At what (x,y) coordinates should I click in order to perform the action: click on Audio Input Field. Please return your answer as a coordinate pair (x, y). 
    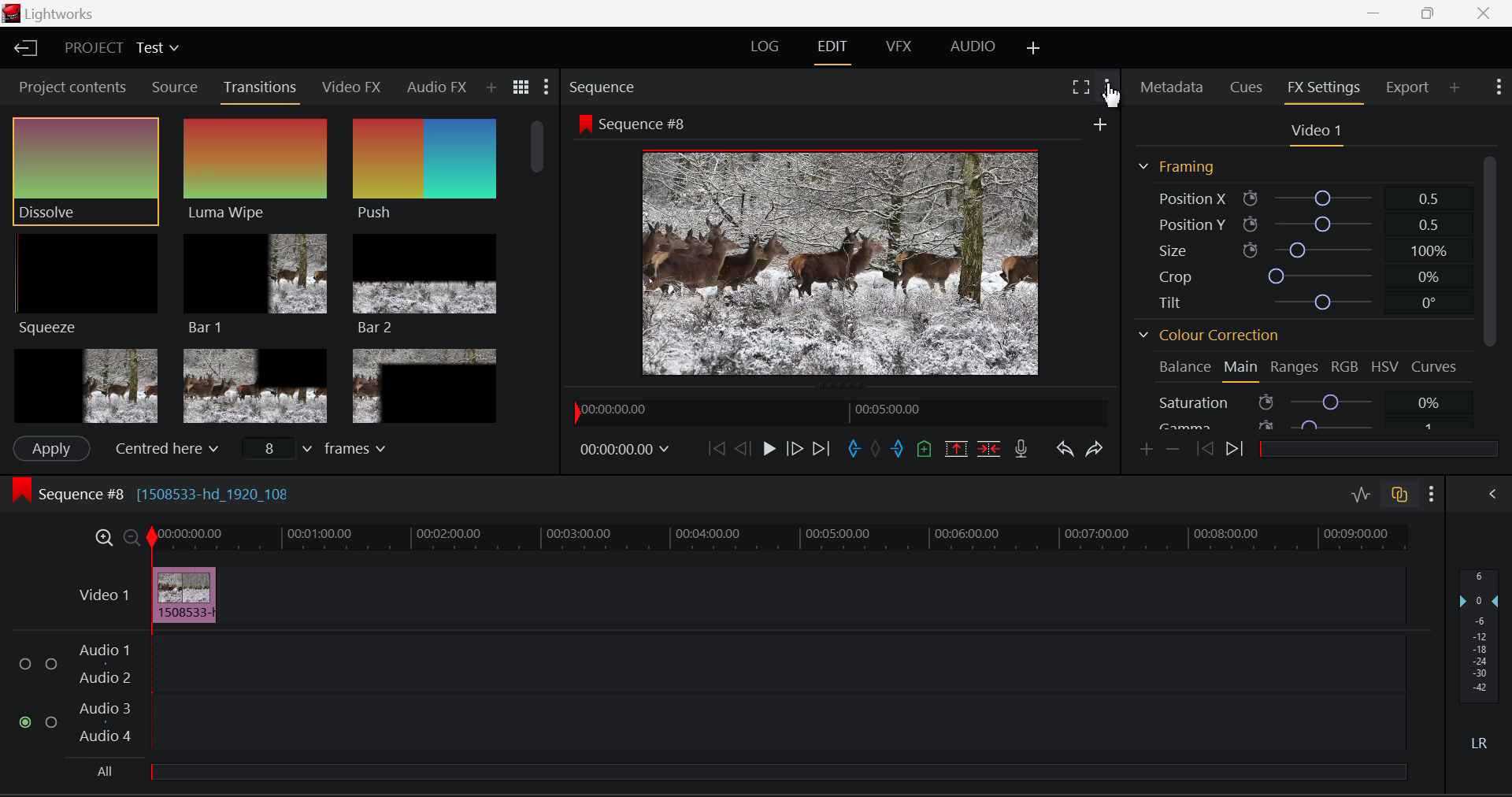
    Looking at the image, I should click on (703, 693).